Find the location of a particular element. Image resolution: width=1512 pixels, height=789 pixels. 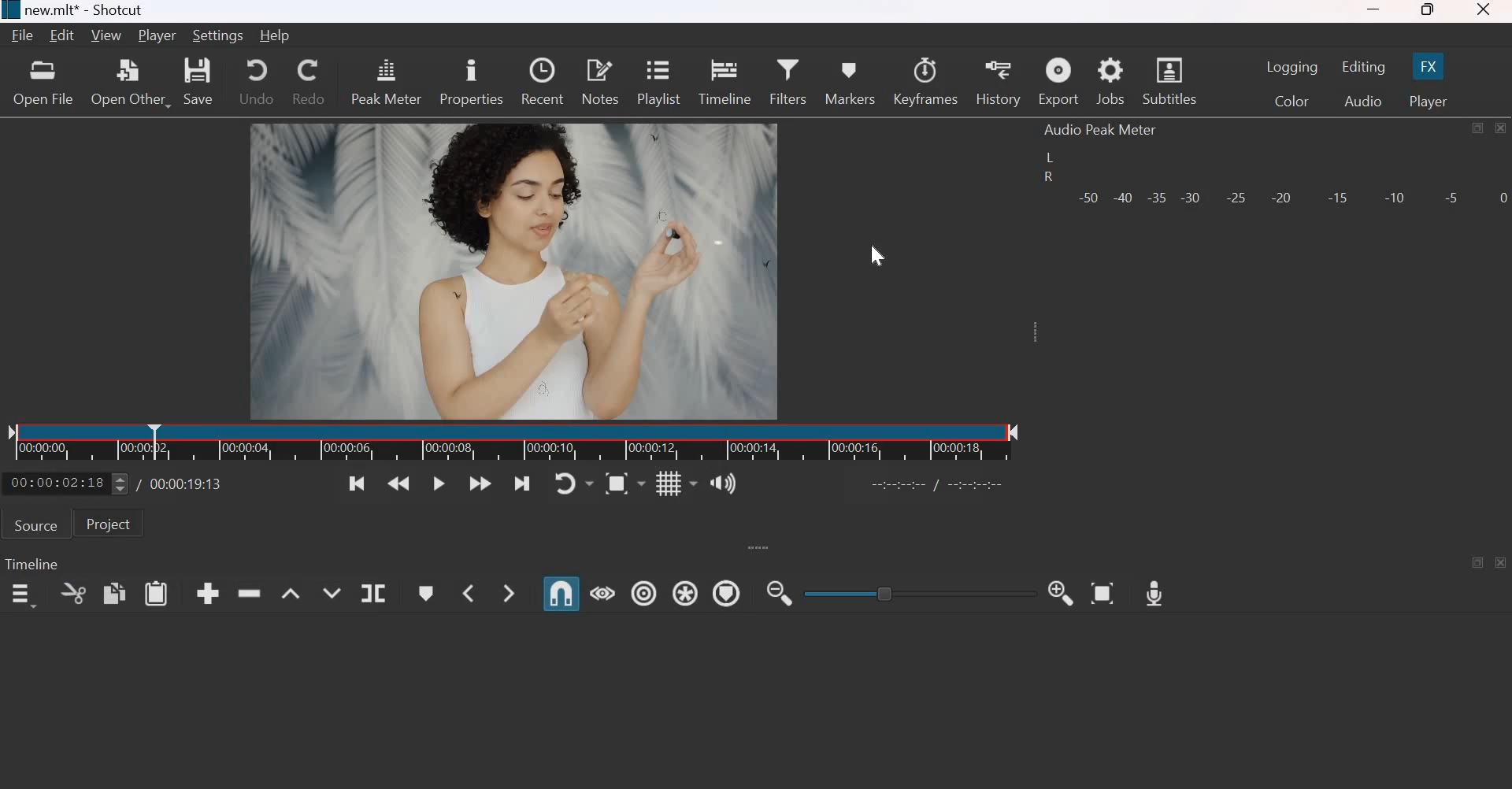

cut is located at coordinates (74, 593).